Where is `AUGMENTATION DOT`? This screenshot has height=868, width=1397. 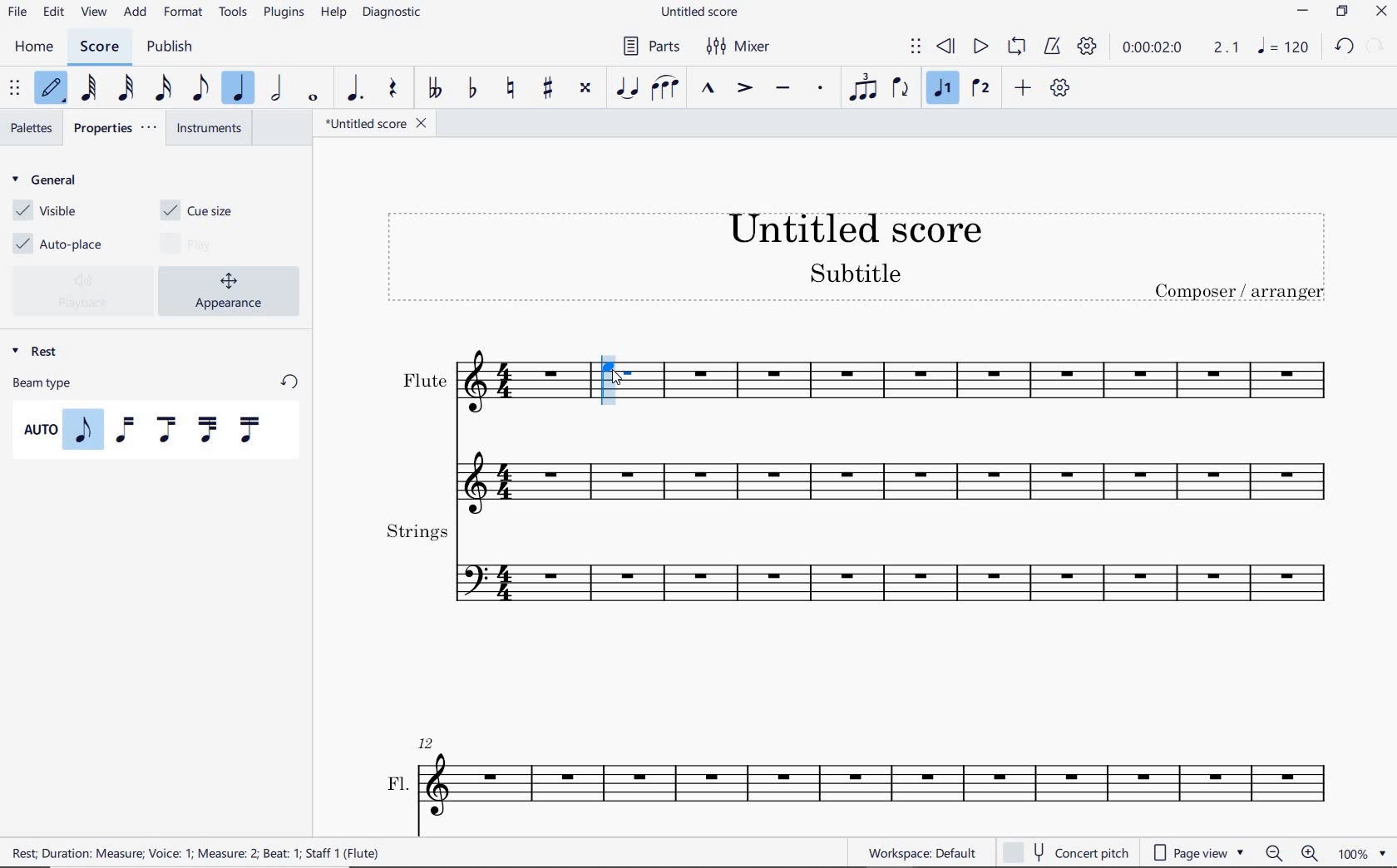
AUGMENTATION DOT is located at coordinates (355, 89).